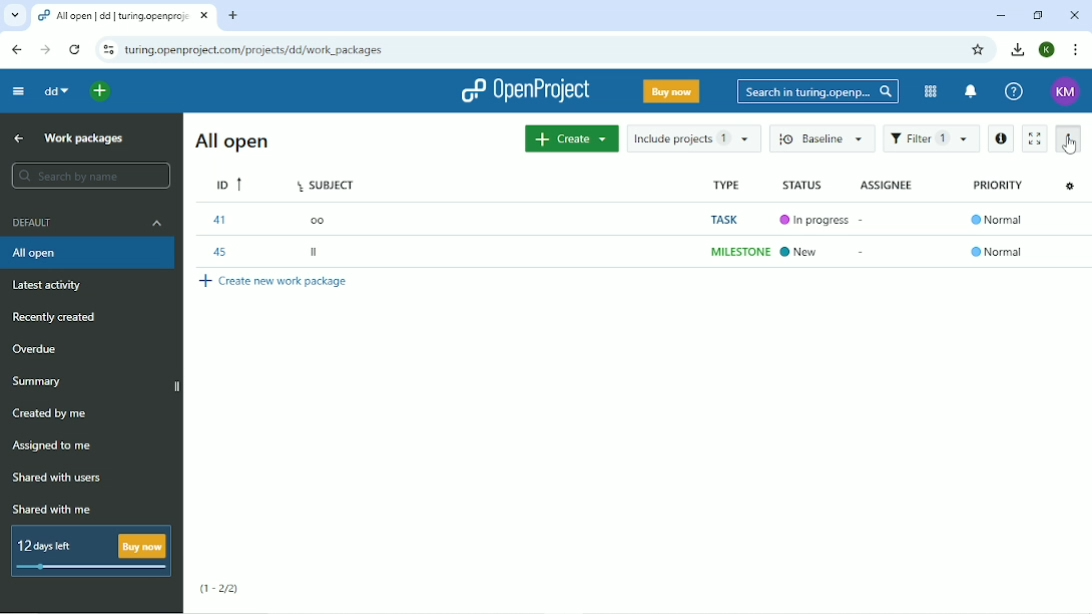 The image size is (1092, 614). I want to click on New, so click(803, 252).